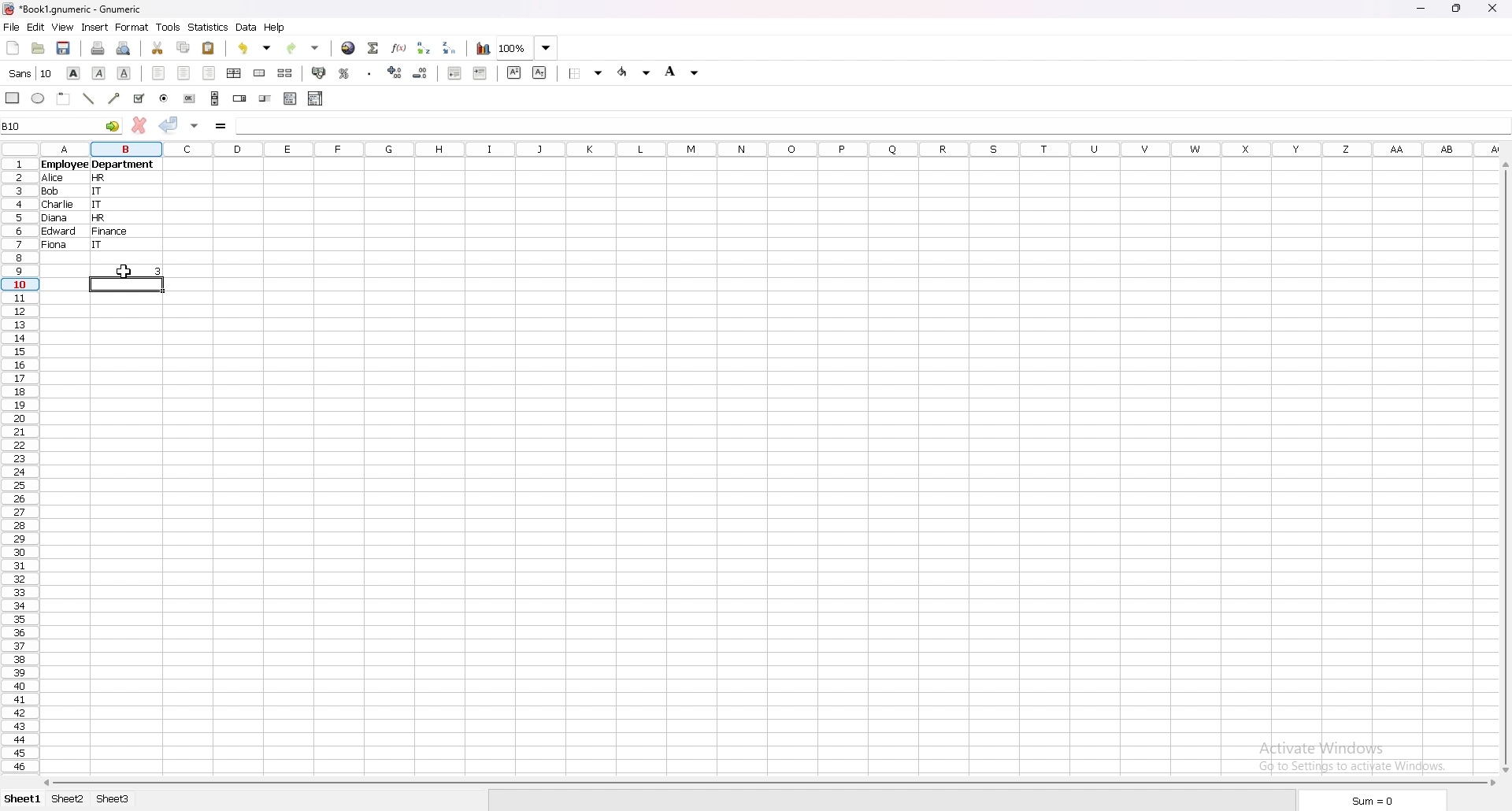  Describe the element at coordinates (349, 48) in the screenshot. I see `hyperlink` at that location.